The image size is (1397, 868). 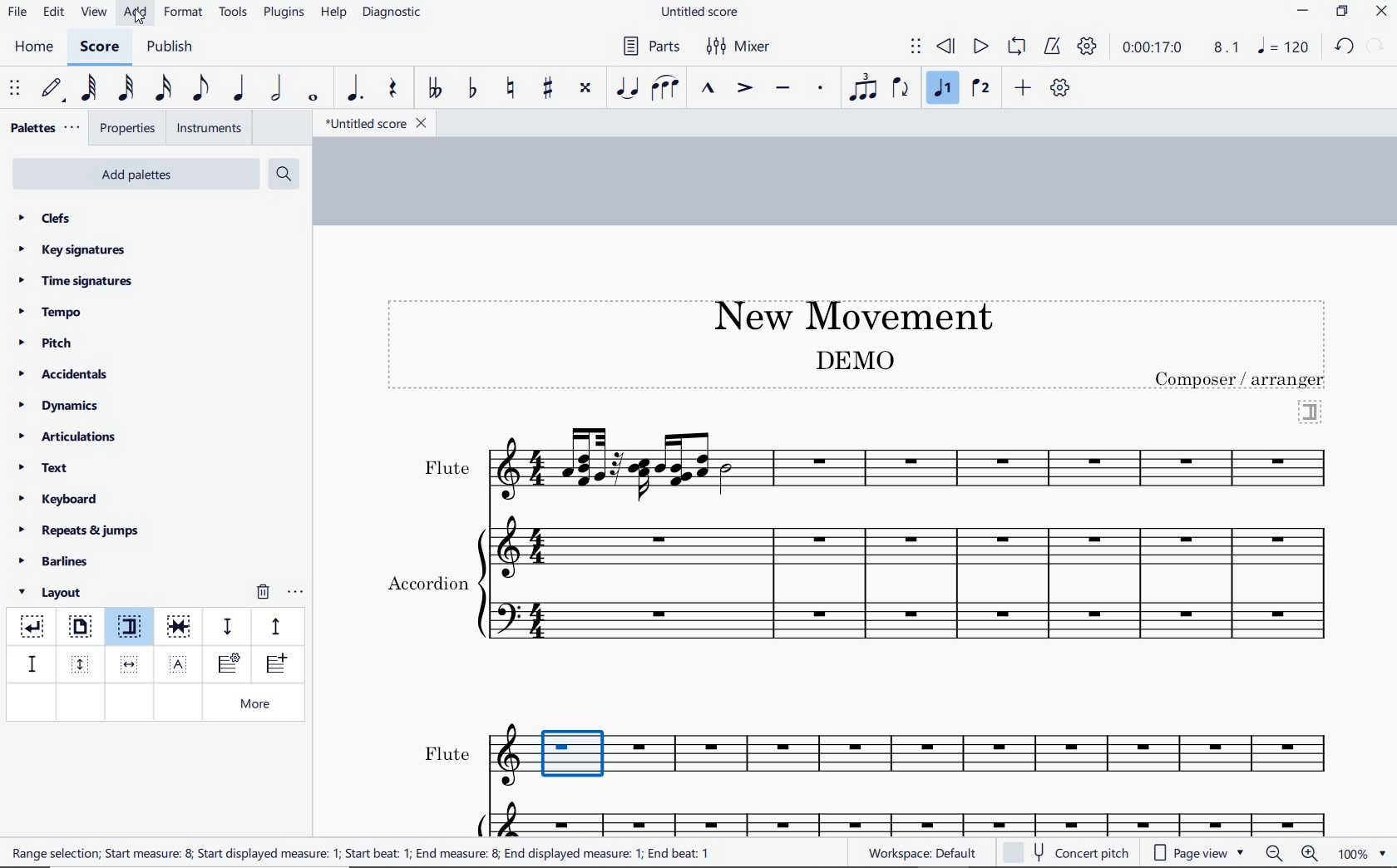 I want to click on view, so click(x=91, y=13).